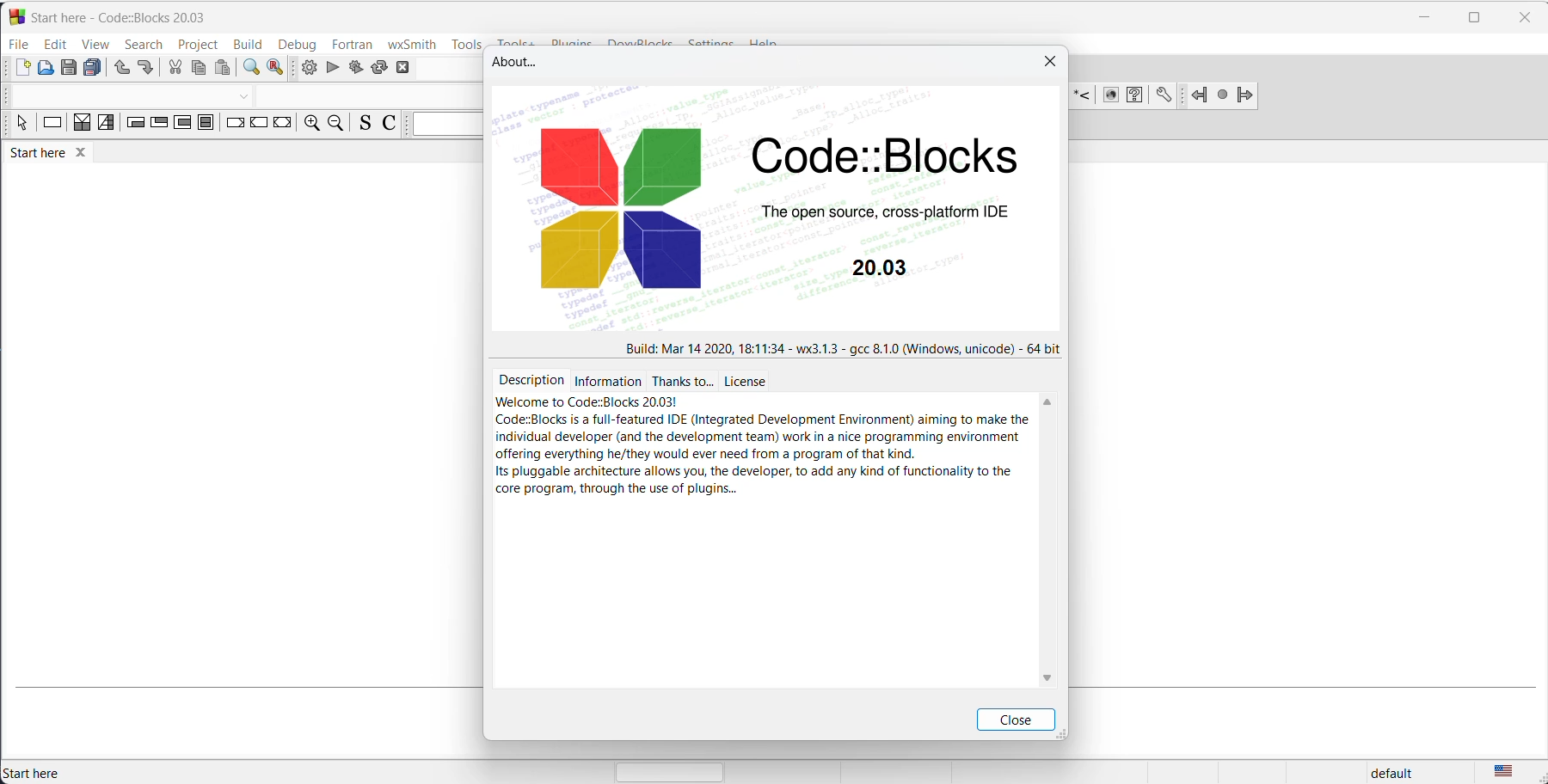 This screenshot has width=1548, height=784. What do you see at coordinates (207, 127) in the screenshot?
I see `block instruction` at bounding box center [207, 127].